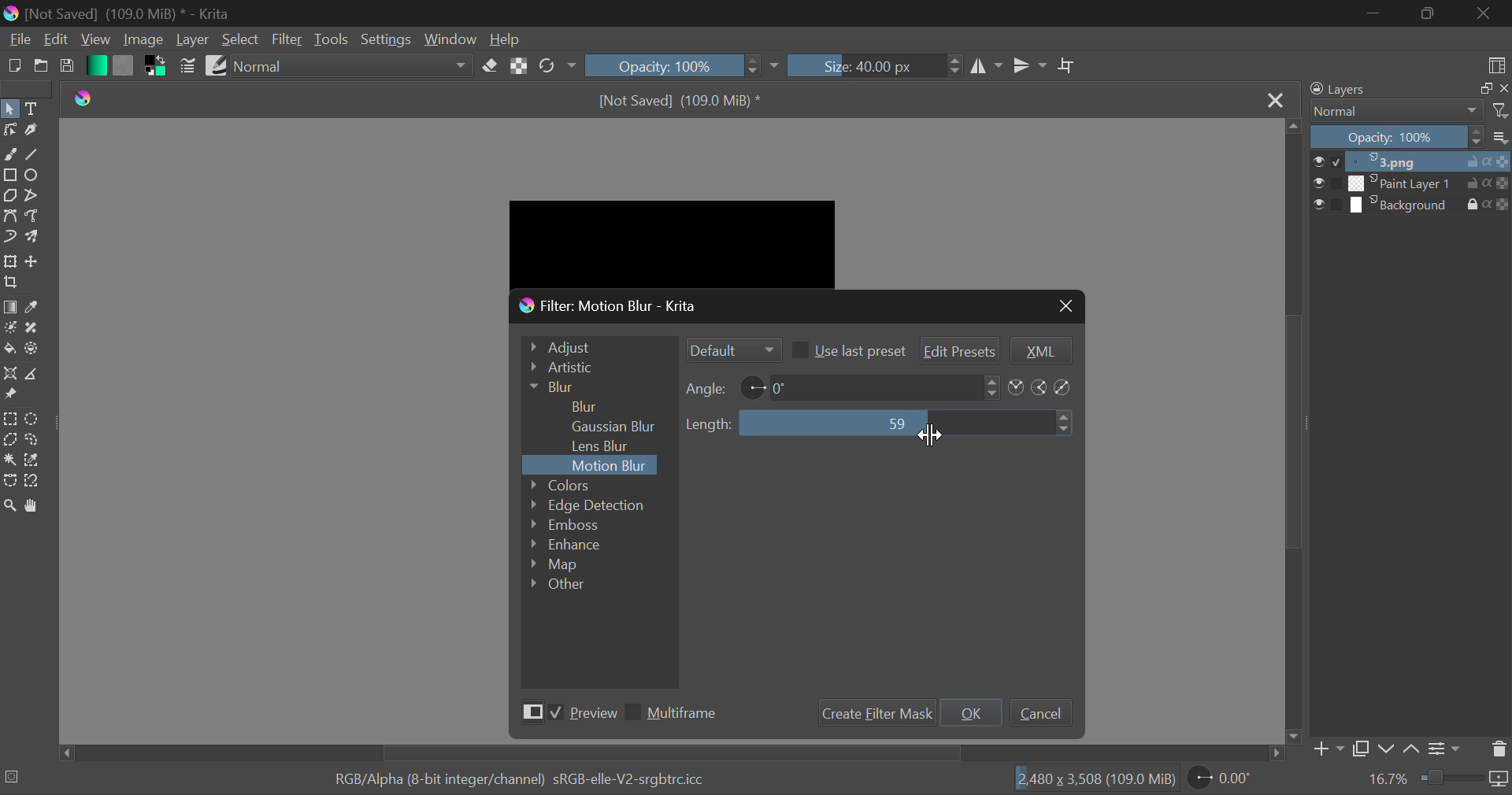  Describe the element at coordinates (1040, 712) in the screenshot. I see `Cancel` at that location.